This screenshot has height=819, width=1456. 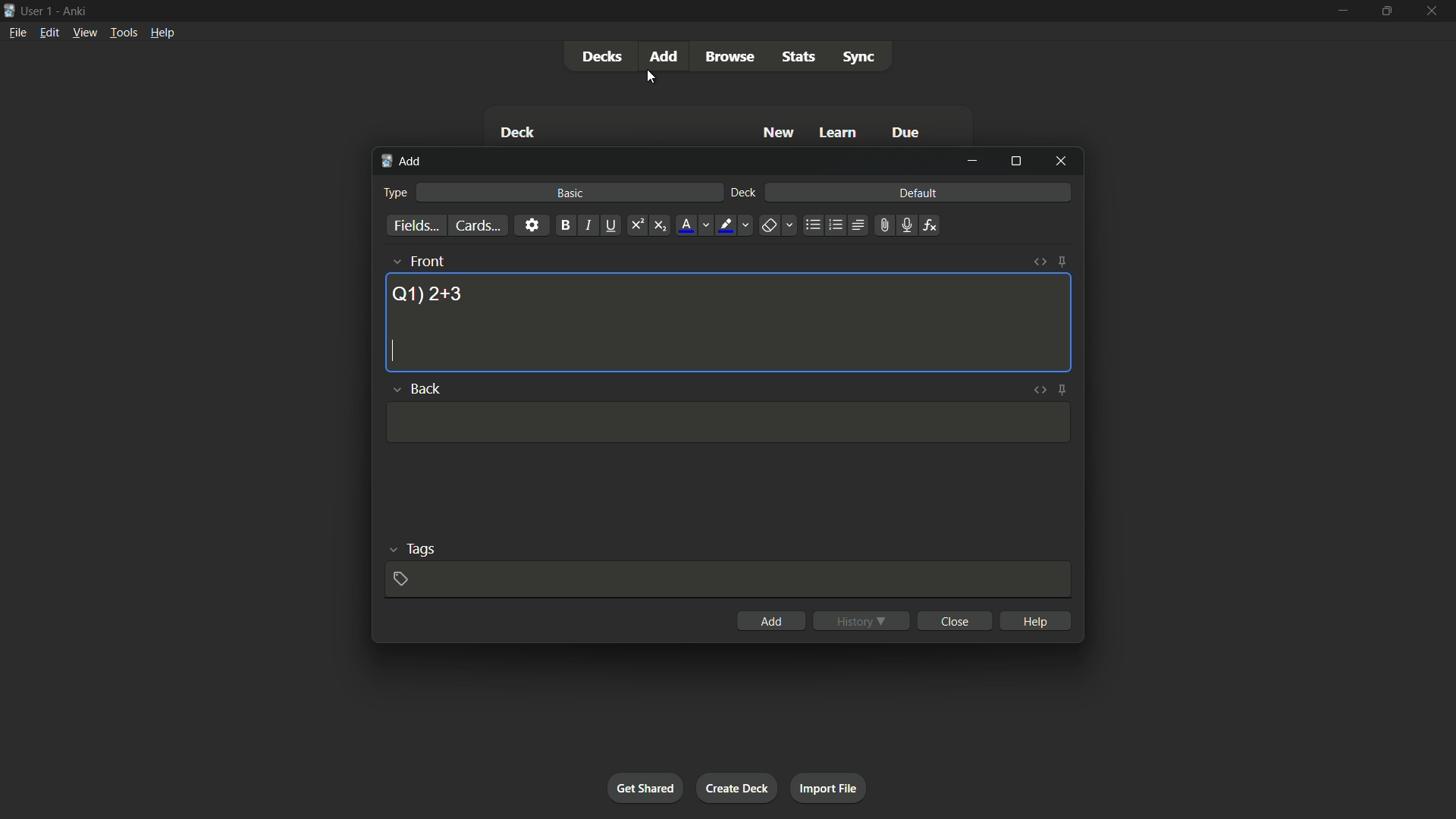 What do you see at coordinates (918, 192) in the screenshot?
I see `default` at bounding box center [918, 192].